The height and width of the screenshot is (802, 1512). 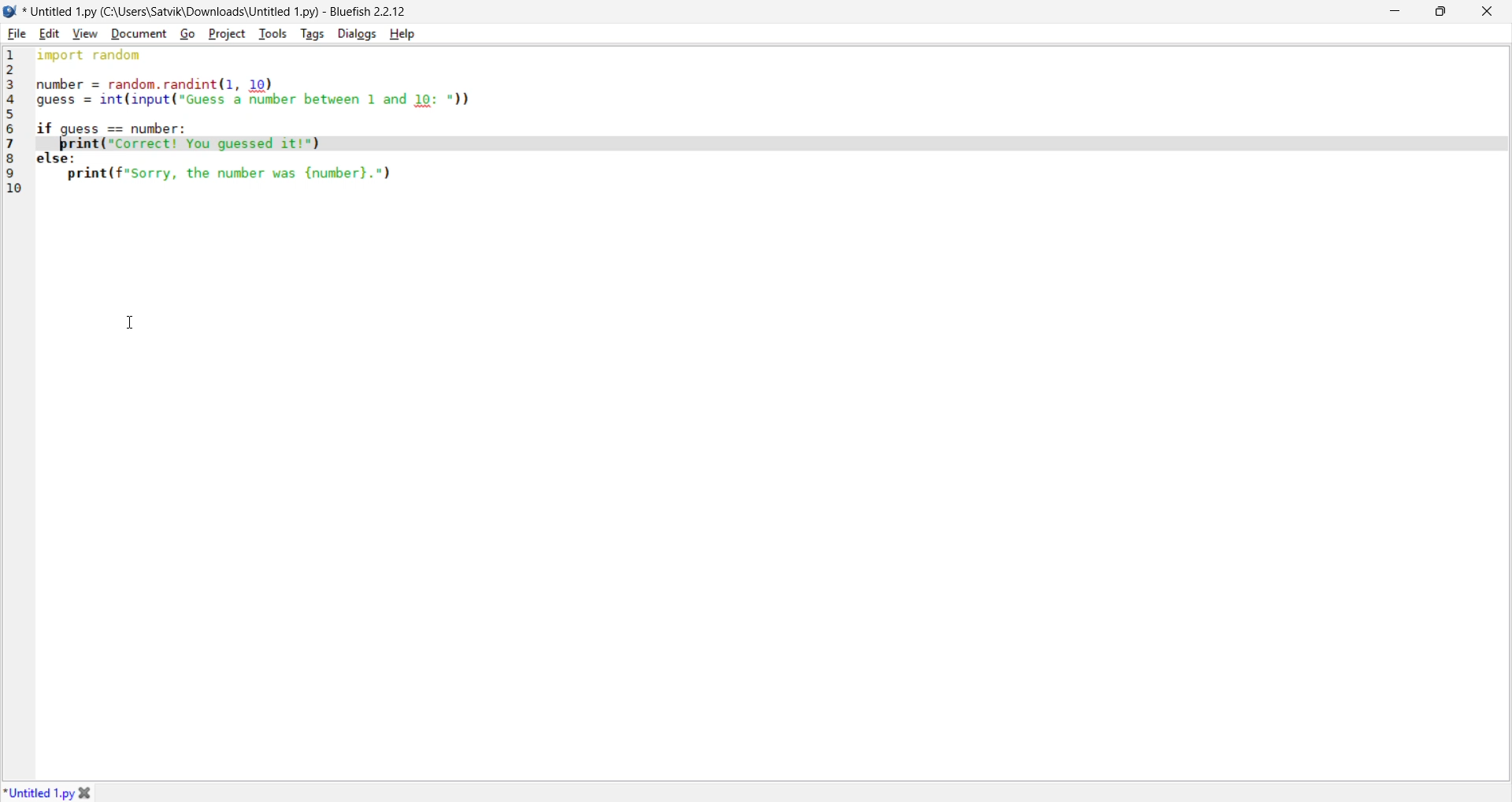 I want to click on file, so click(x=18, y=33).